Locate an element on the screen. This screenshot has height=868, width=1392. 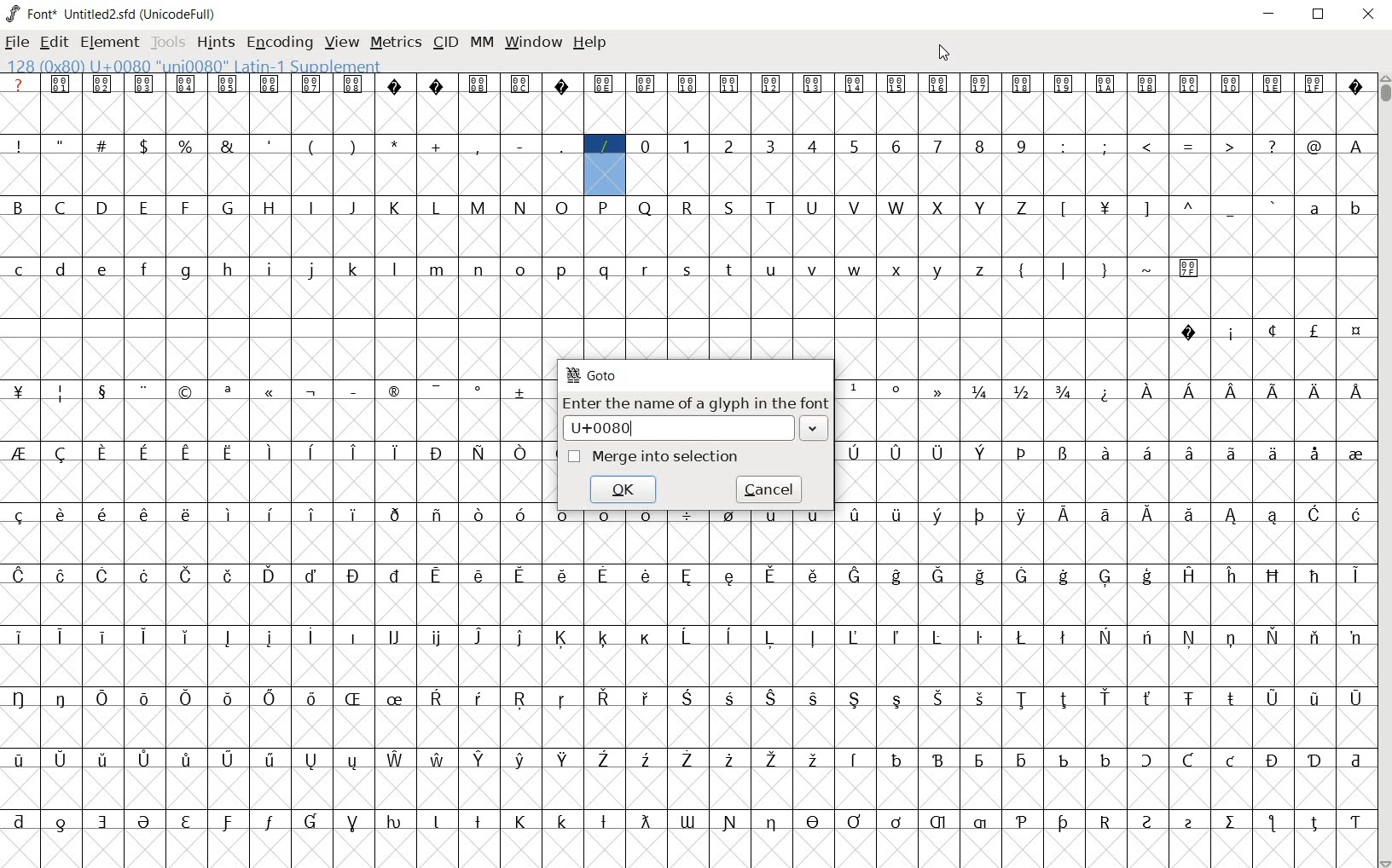
glyph is located at coordinates (17, 206).